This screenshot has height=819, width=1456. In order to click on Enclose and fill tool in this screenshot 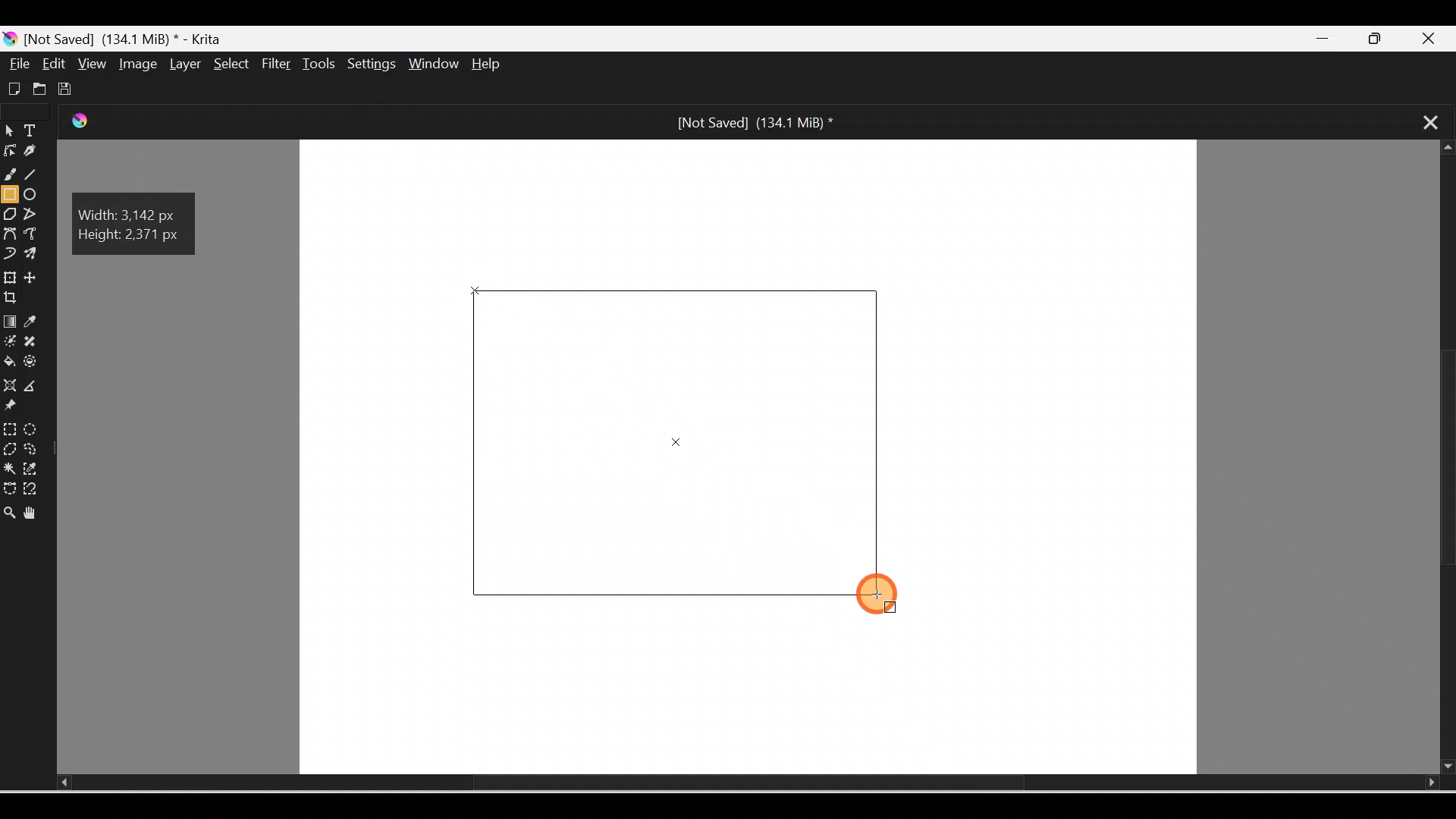, I will do `click(36, 365)`.